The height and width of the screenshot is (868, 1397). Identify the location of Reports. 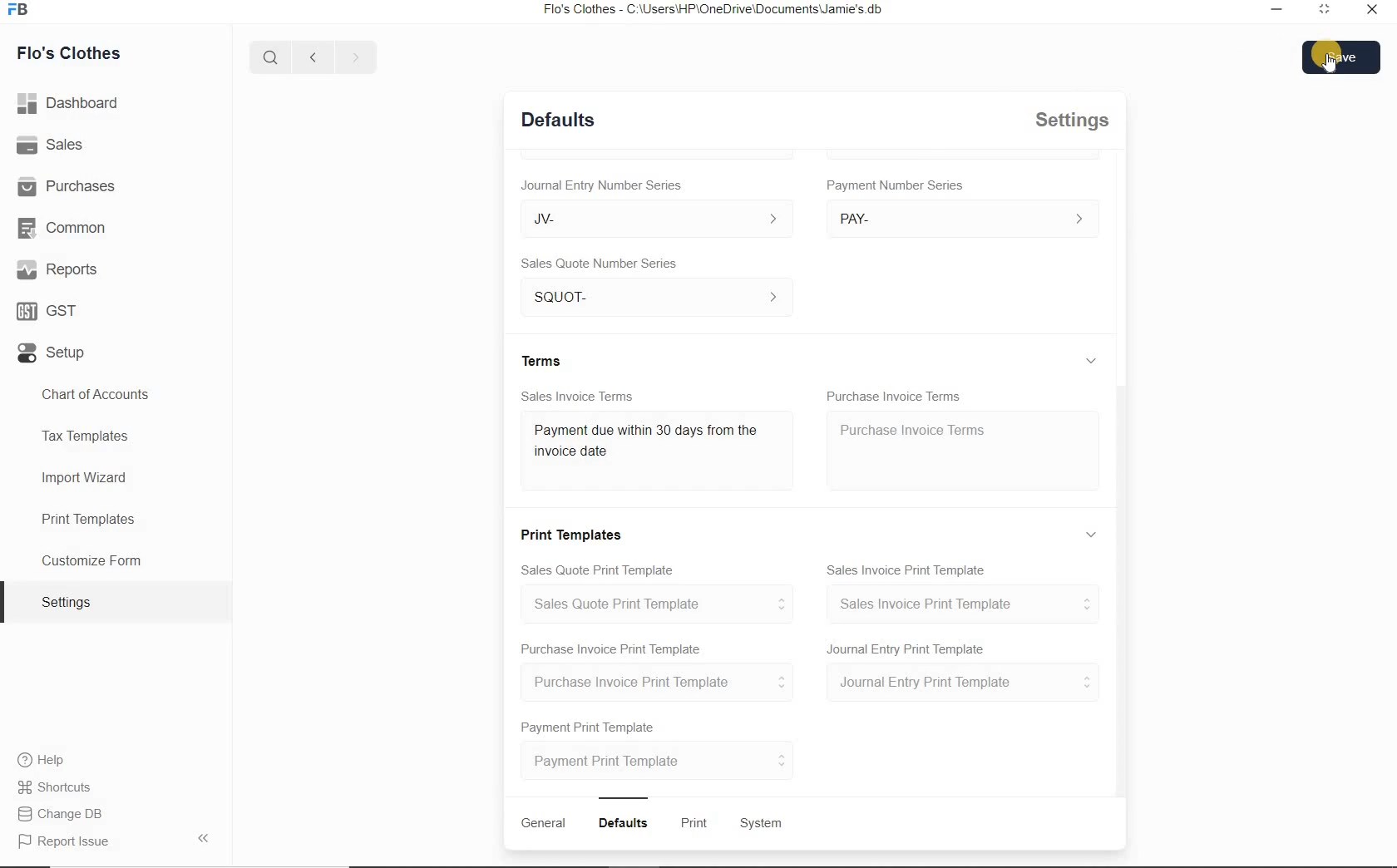
(56, 269).